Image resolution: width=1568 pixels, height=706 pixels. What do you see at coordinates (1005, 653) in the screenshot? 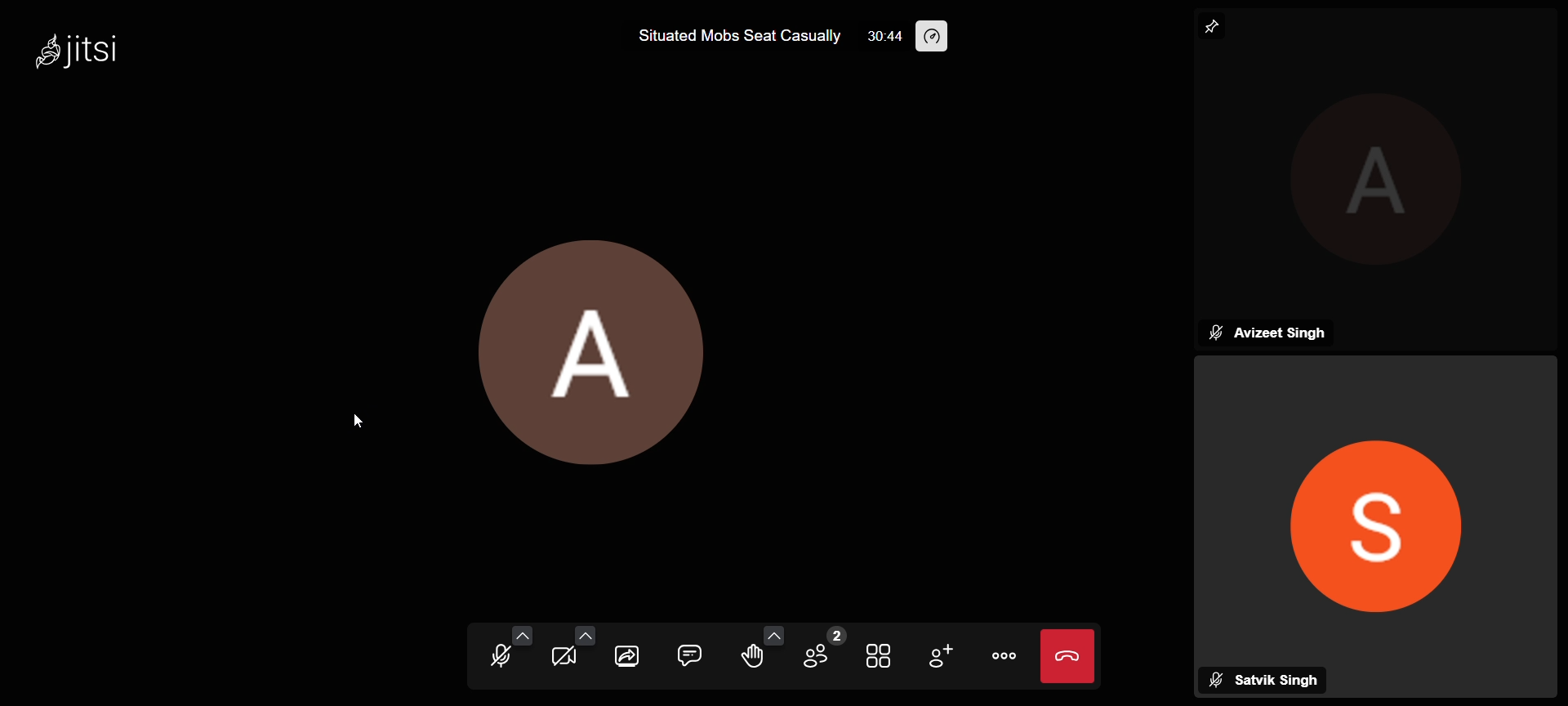
I see `more actions` at bounding box center [1005, 653].